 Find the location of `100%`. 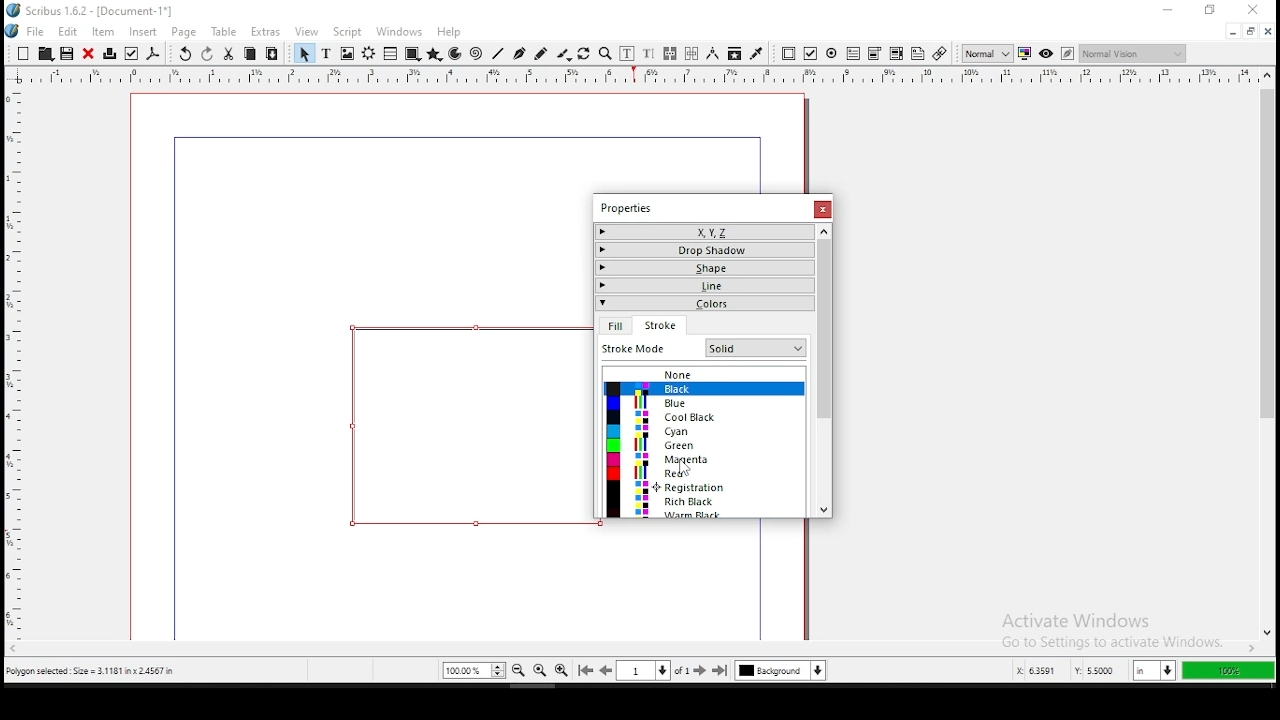

100% is located at coordinates (1228, 671).